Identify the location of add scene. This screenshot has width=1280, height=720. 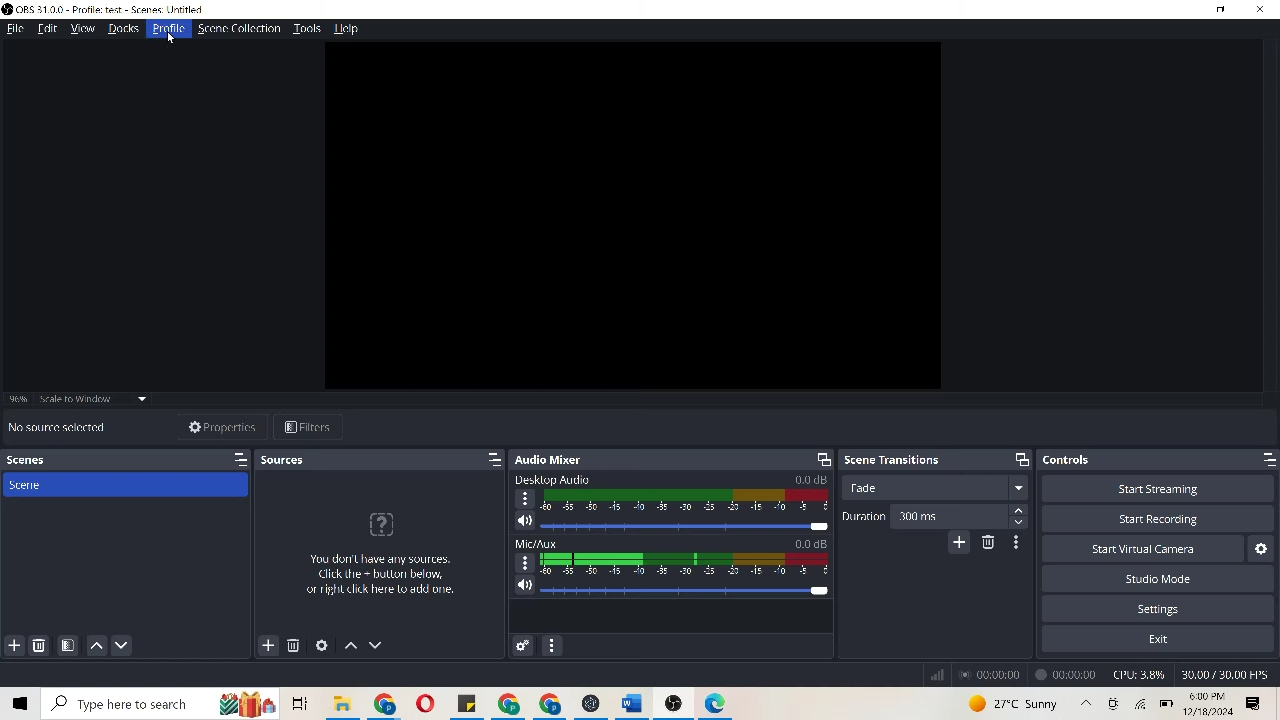
(13, 644).